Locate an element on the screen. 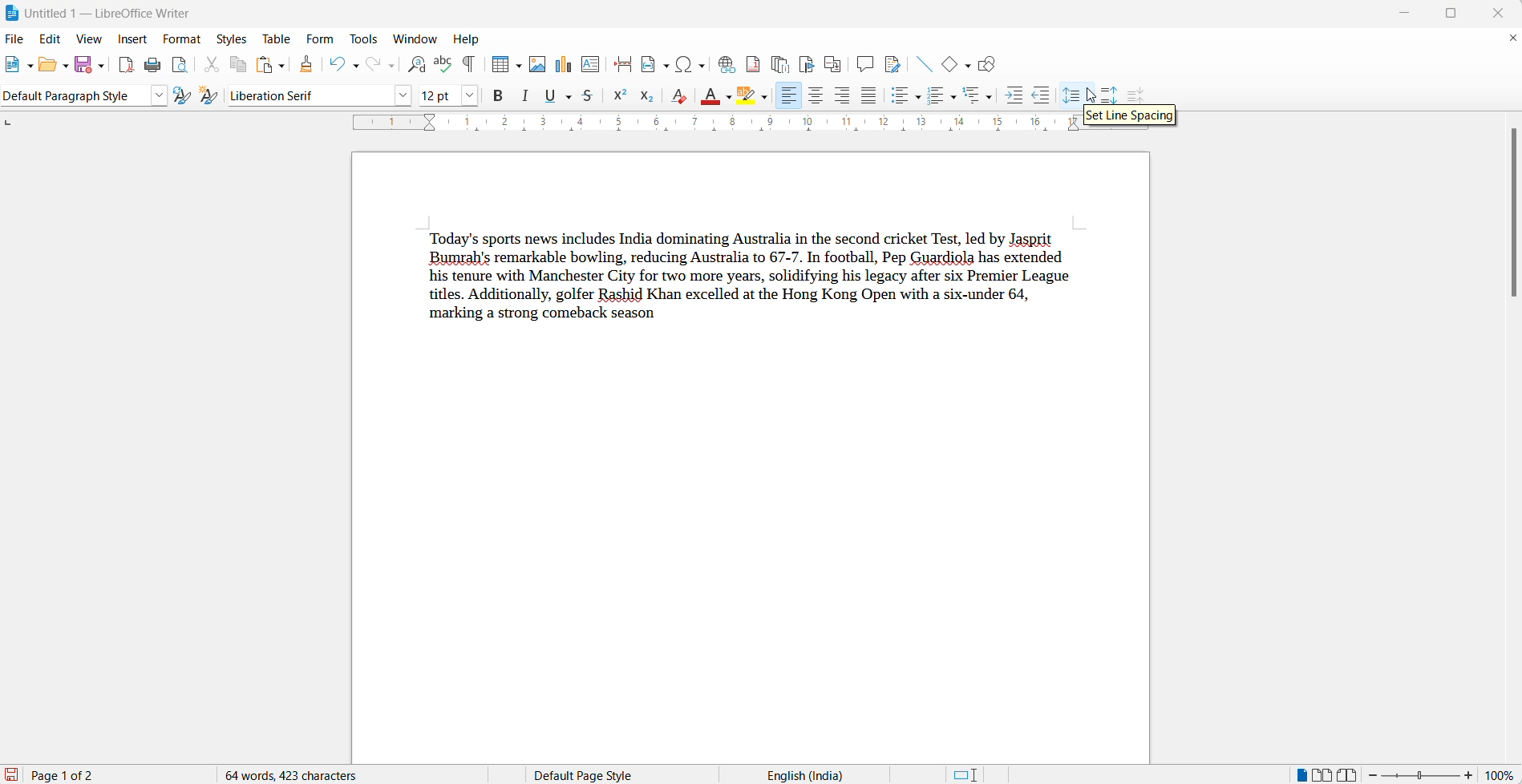 The height and width of the screenshot is (784, 1522). single page view is located at coordinates (1298, 774).